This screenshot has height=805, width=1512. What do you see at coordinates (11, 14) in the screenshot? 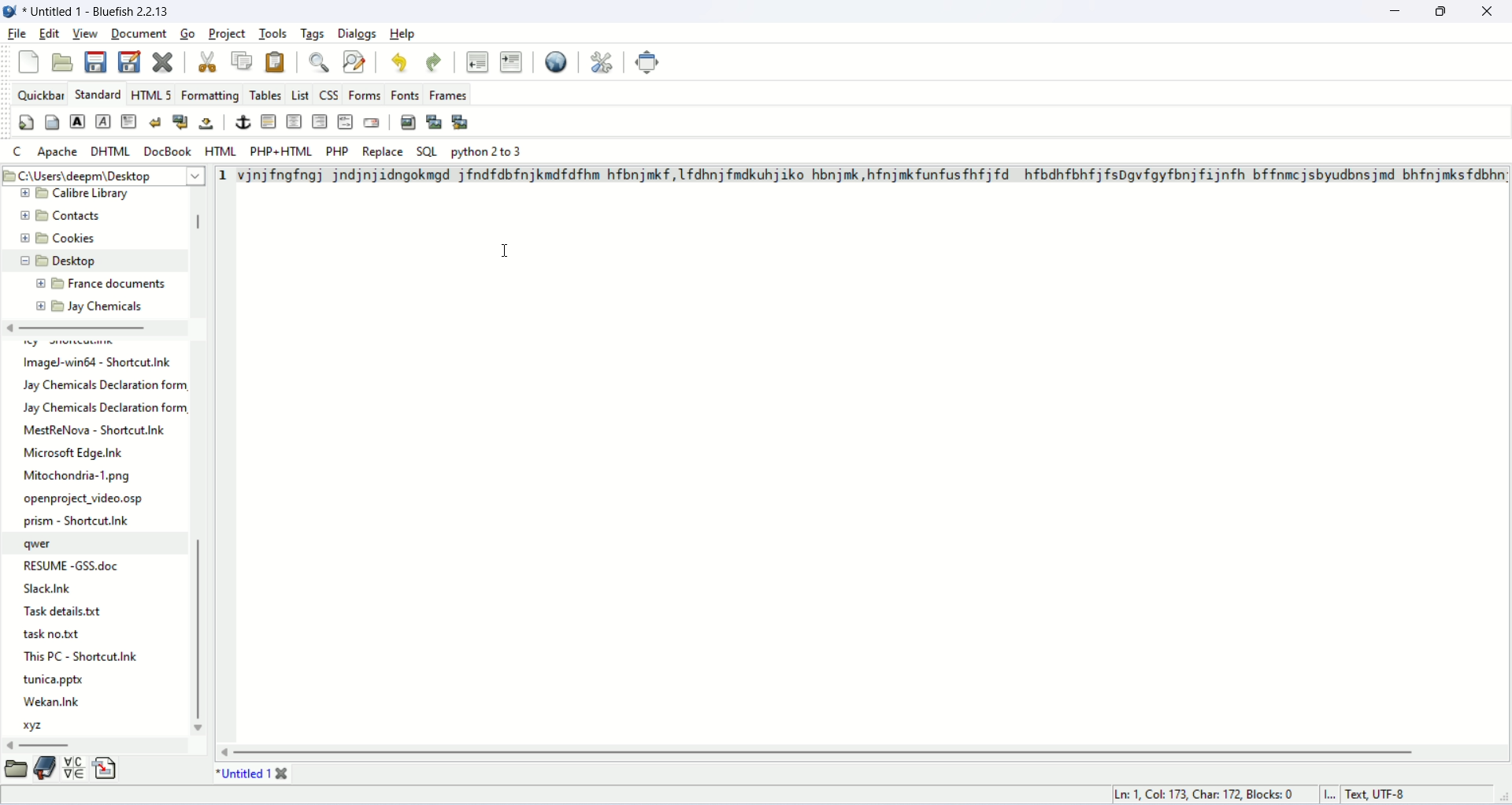
I see `logo` at bounding box center [11, 14].